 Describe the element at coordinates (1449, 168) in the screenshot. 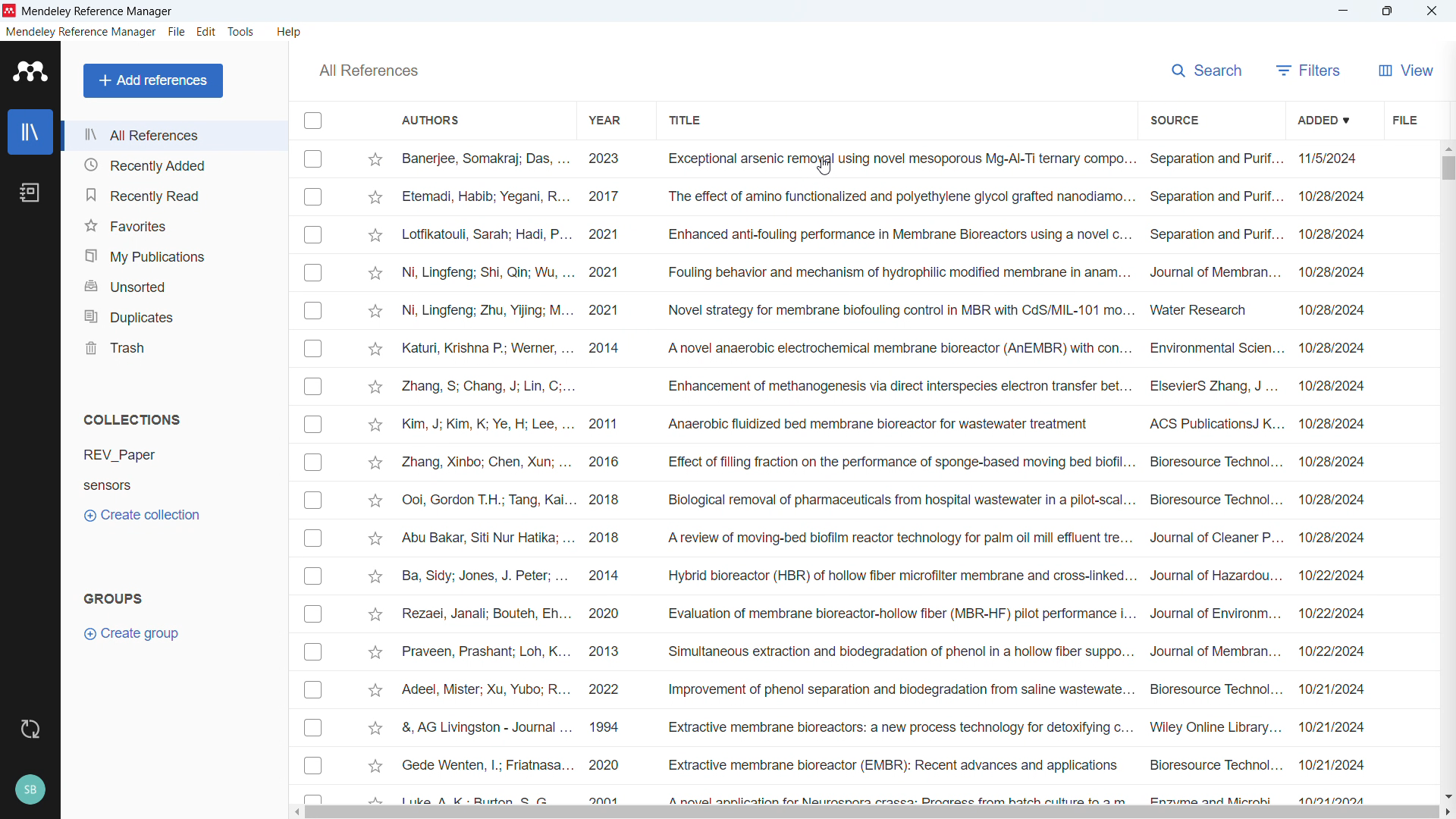

I see `Vertical scroll bar ` at that location.